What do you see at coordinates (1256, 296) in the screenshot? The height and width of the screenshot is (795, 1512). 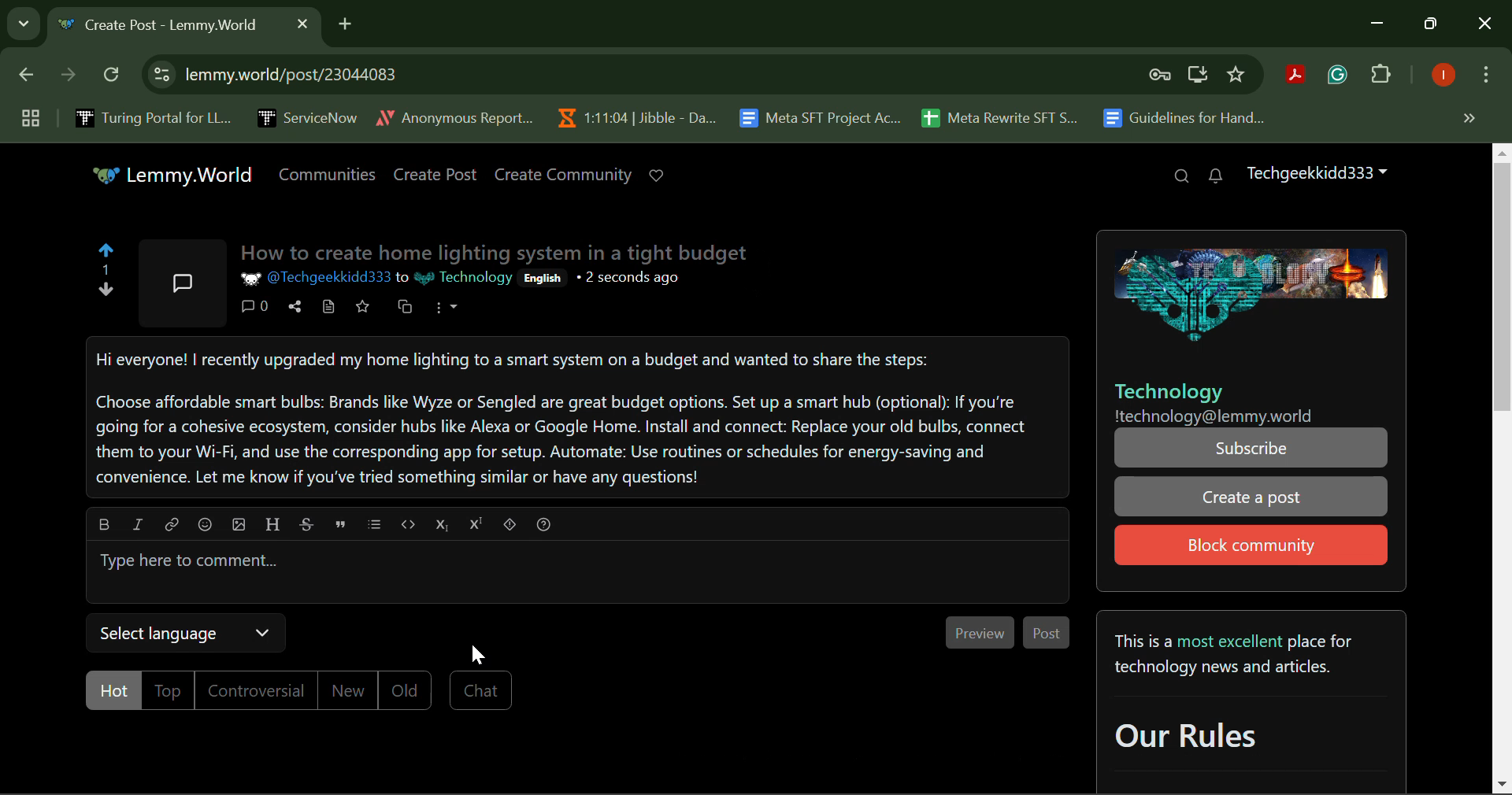 I see `Technology Community Media` at bounding box center [1256, 296].